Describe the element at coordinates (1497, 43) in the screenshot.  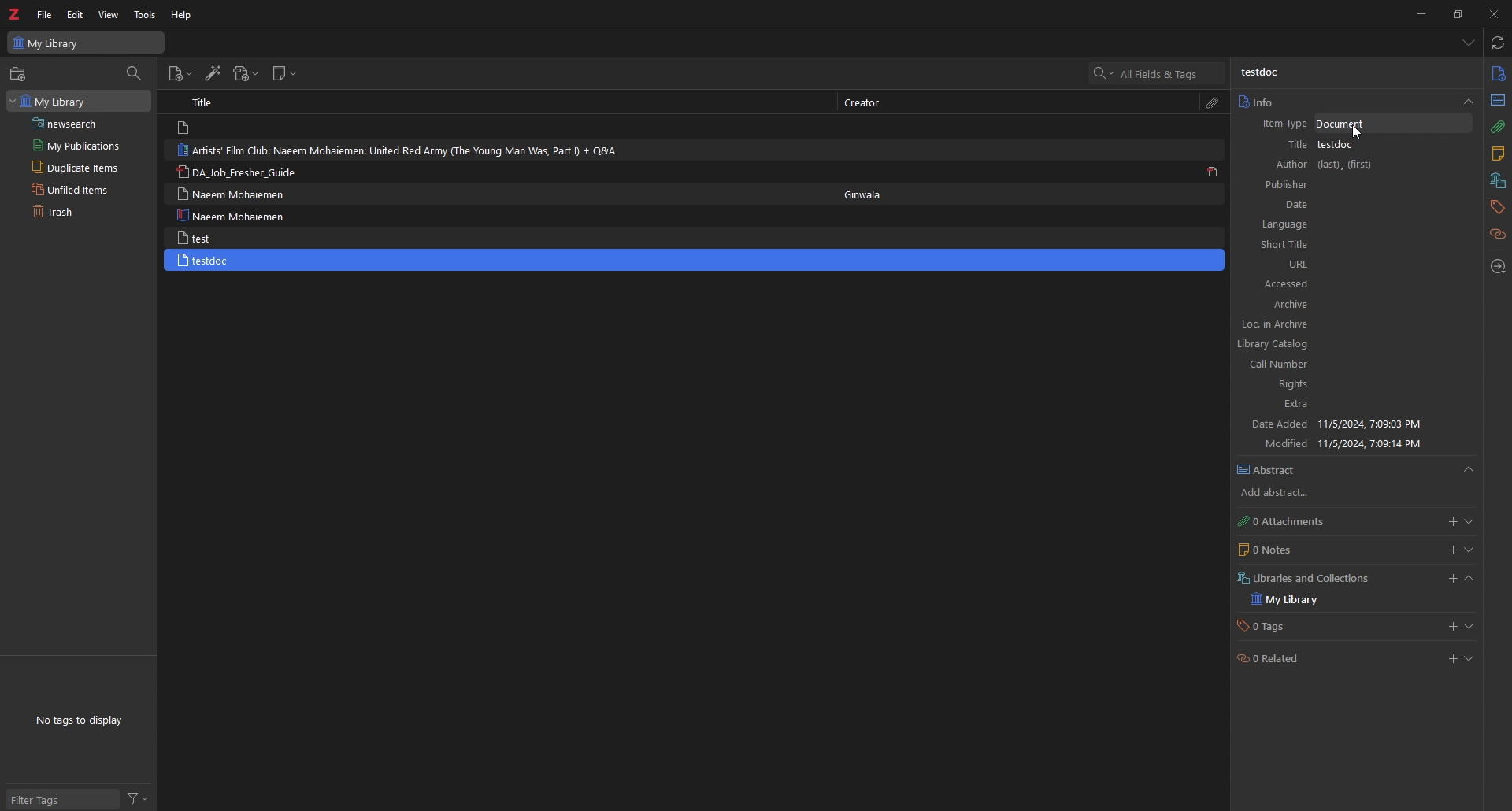
I see `sync with zotero.org` at that location.